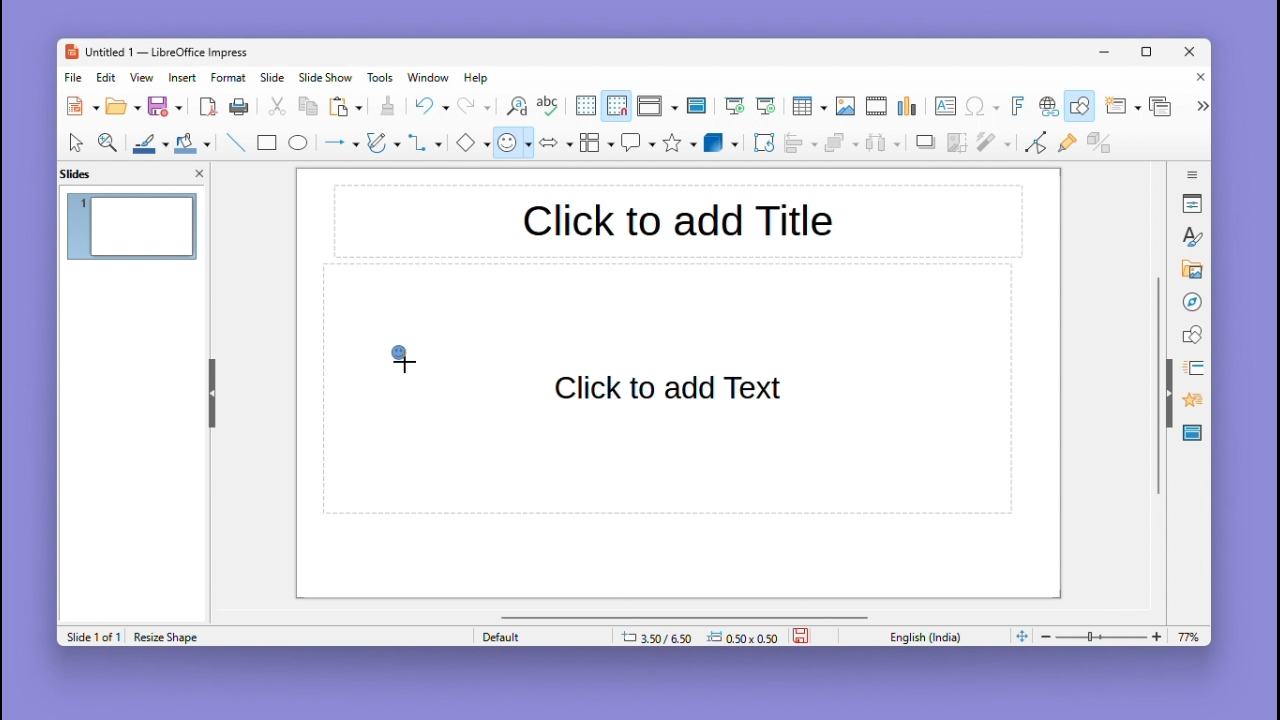 This screenshot has width=1280, height=720. I want to click on shapes, so click(1192, 333).